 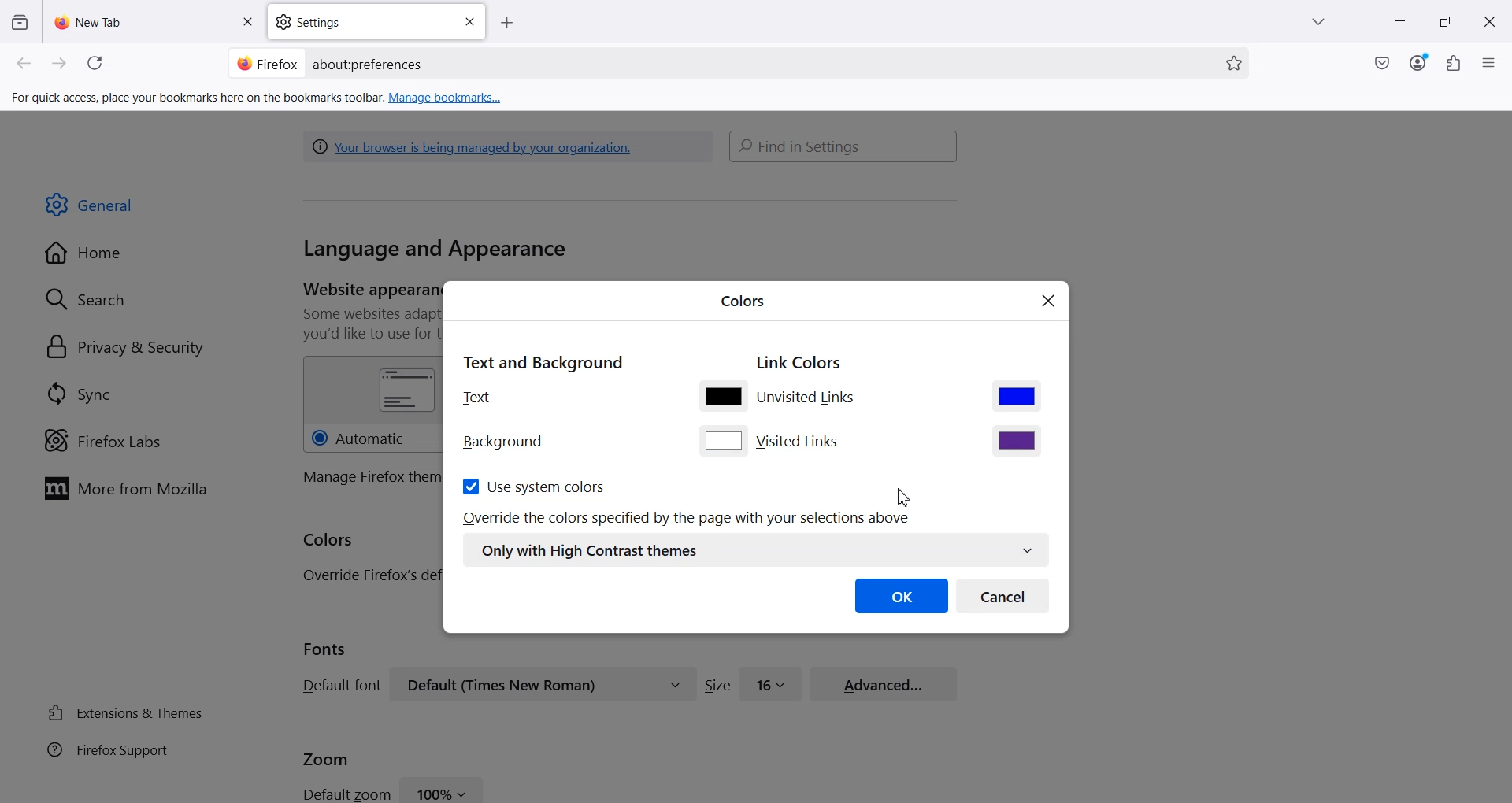 What do you see at coordinates (809, 399) in the screenshot?
I see `Unvisited Links` at bounding box center [809, 399].